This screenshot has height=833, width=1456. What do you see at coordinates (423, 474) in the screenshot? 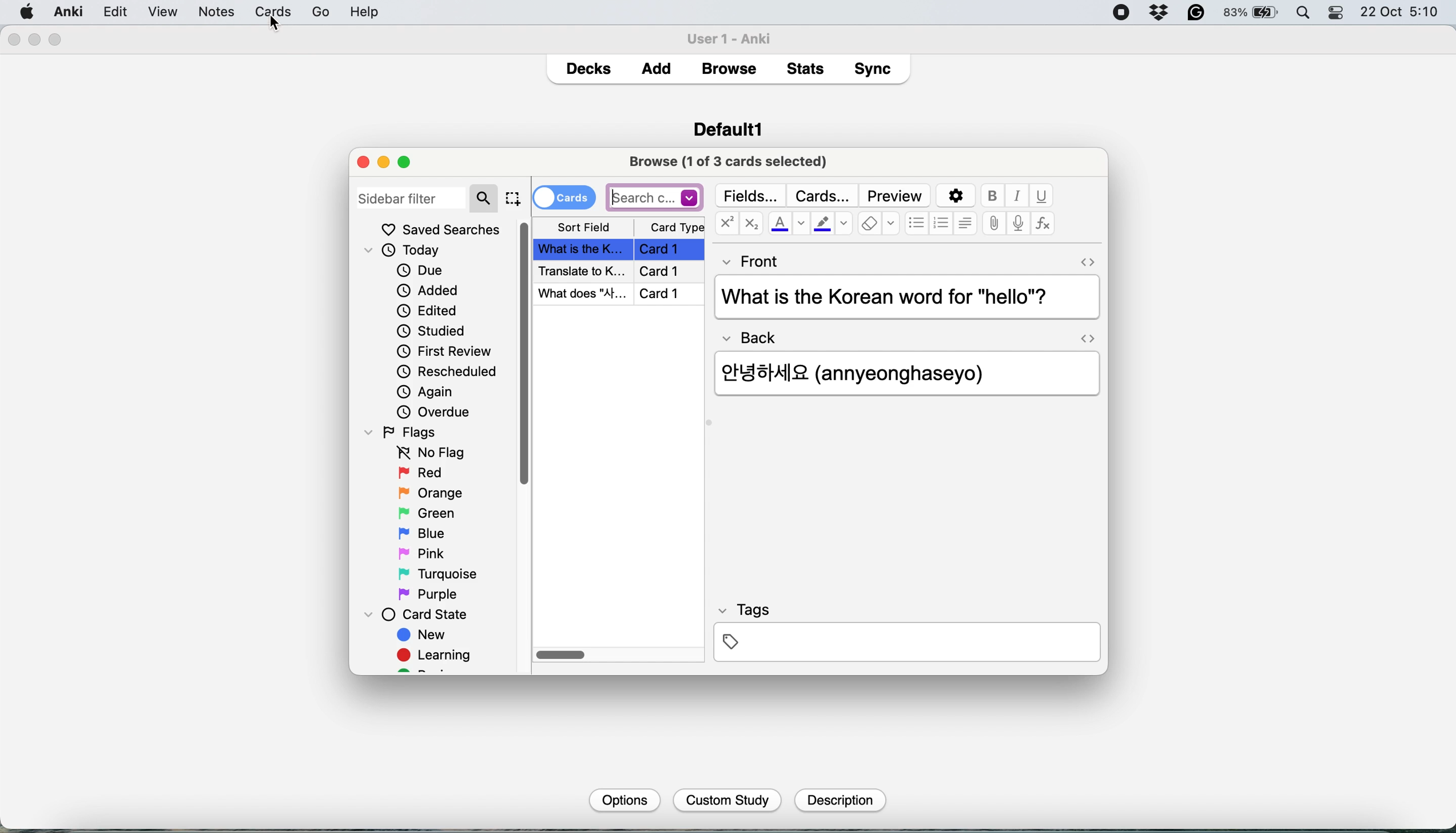
I see `red` at bounding box center [423, 474].